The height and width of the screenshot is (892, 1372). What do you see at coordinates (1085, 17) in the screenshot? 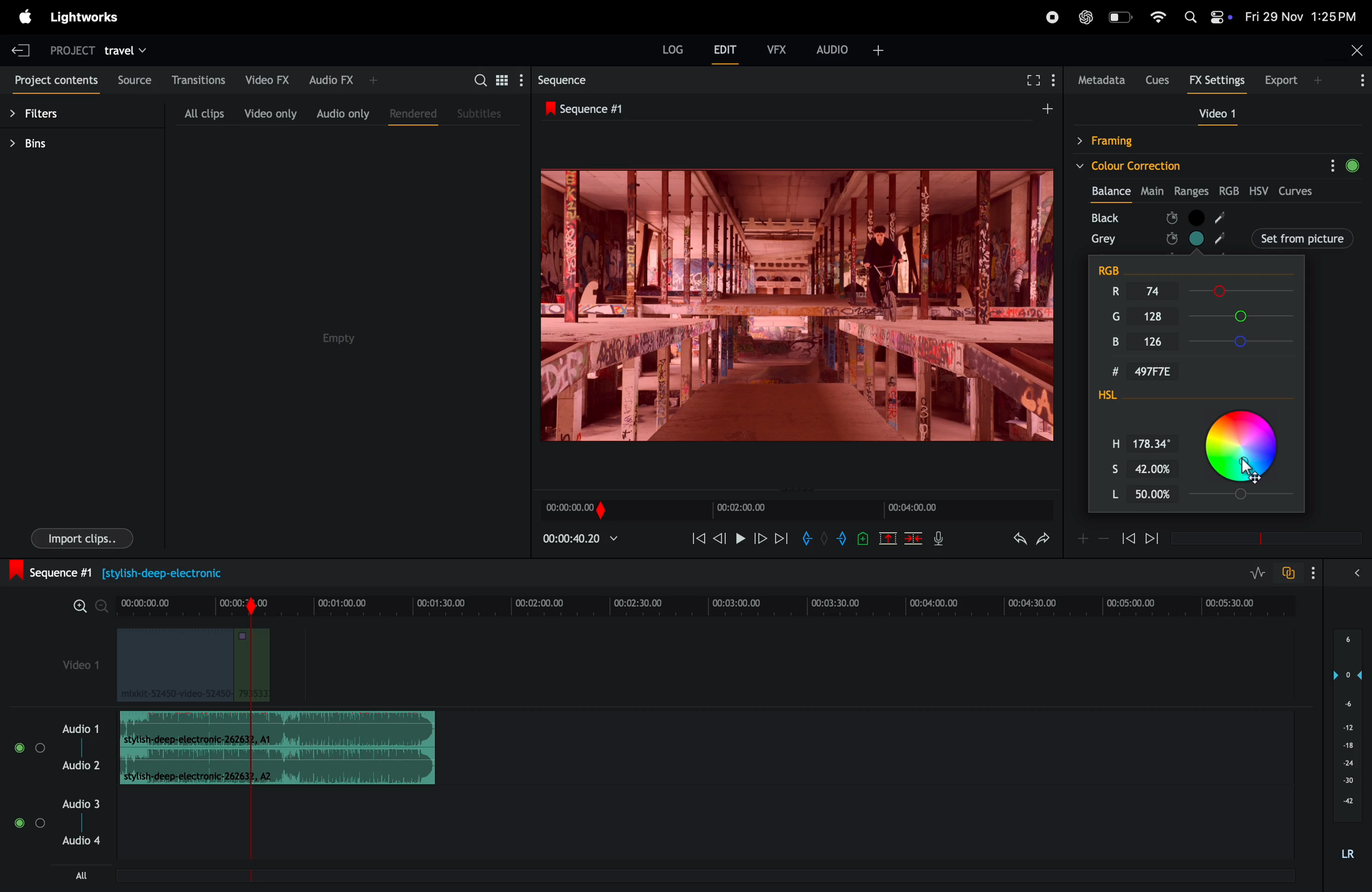
I see `chatgpt` at bounding box center [1085, 17].